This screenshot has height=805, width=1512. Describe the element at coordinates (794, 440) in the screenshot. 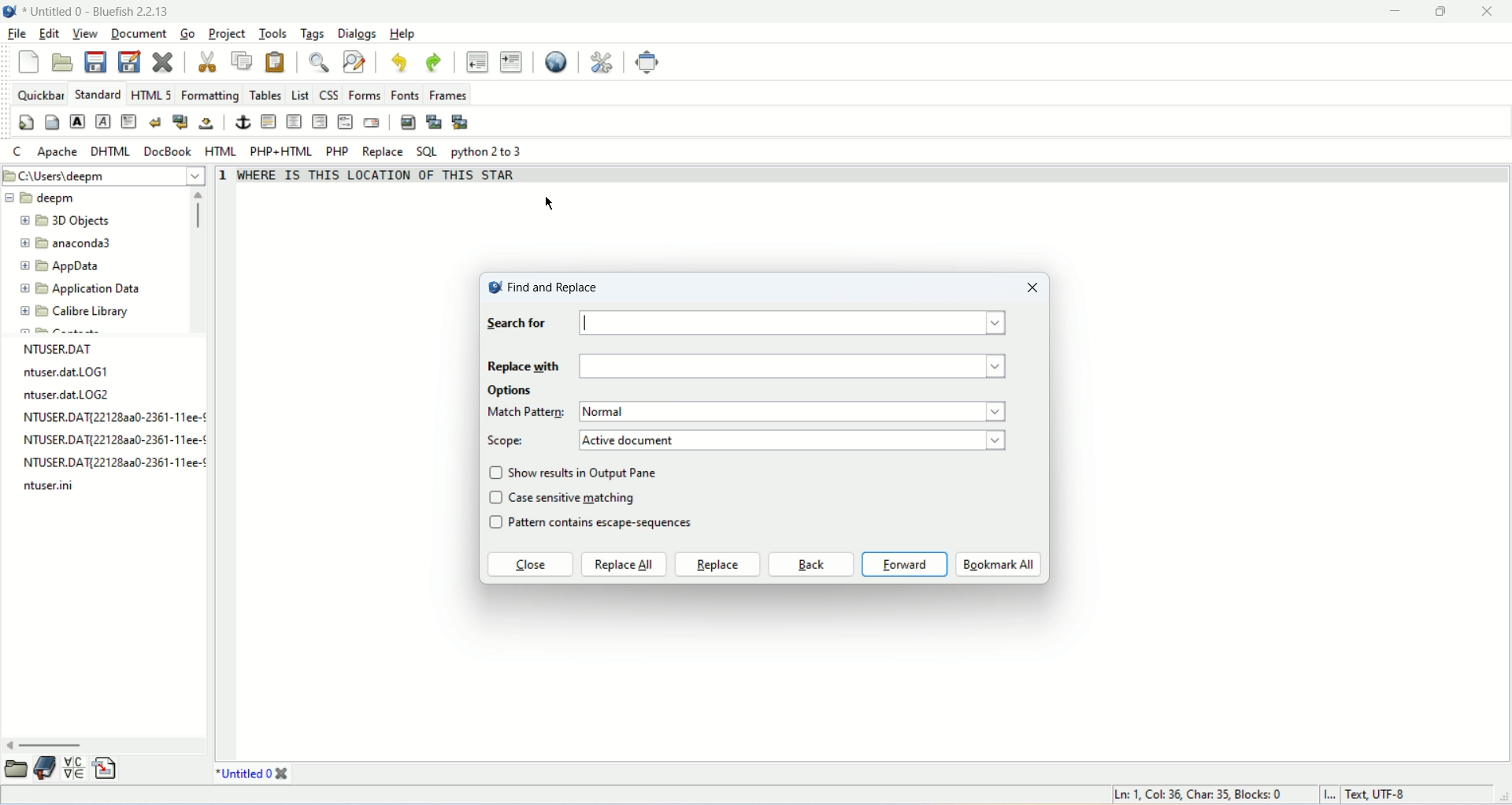

I see `scope` at that location.